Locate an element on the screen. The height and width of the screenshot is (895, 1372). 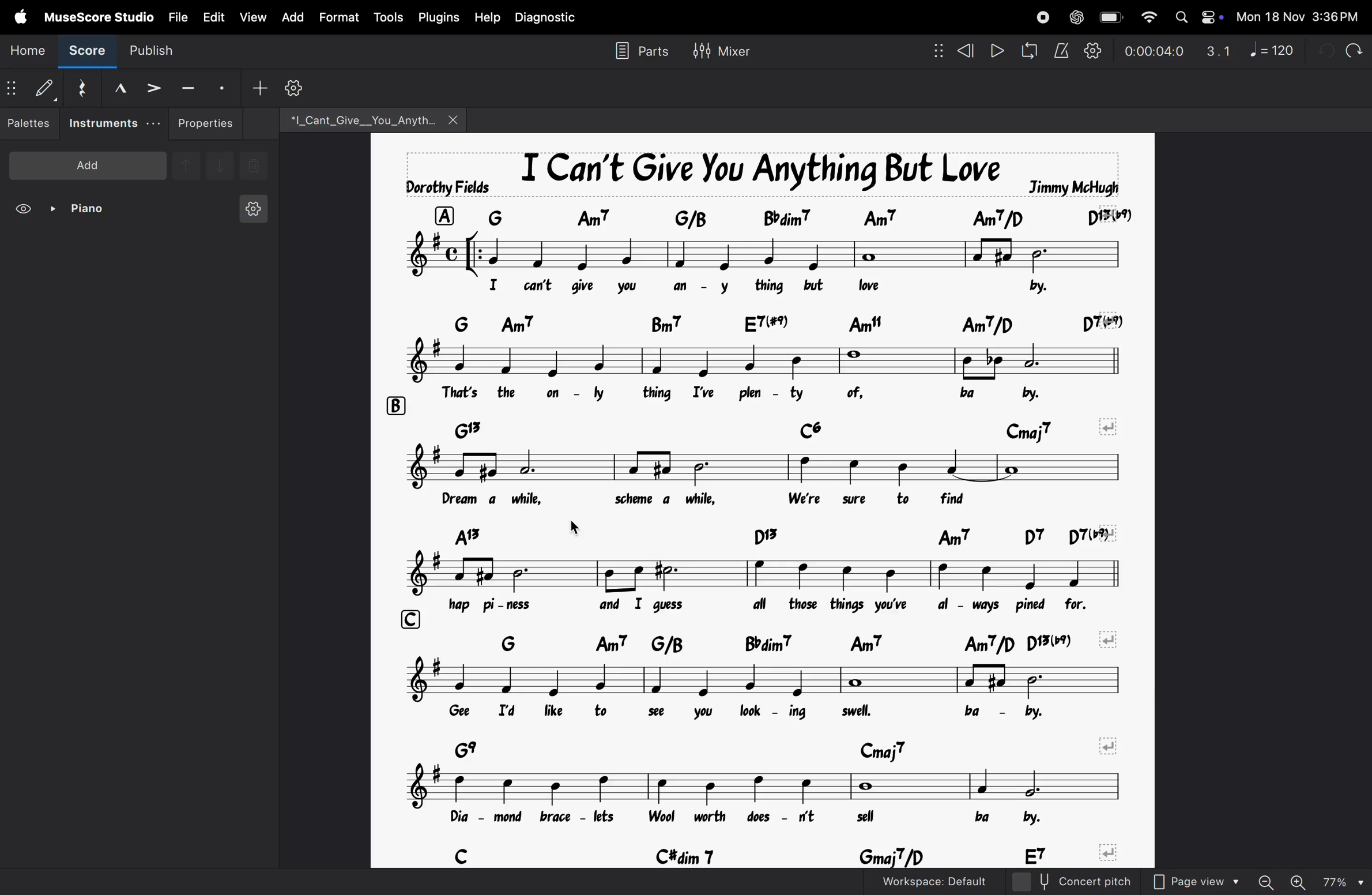
3.1 is located at coordinates (1215, 49).